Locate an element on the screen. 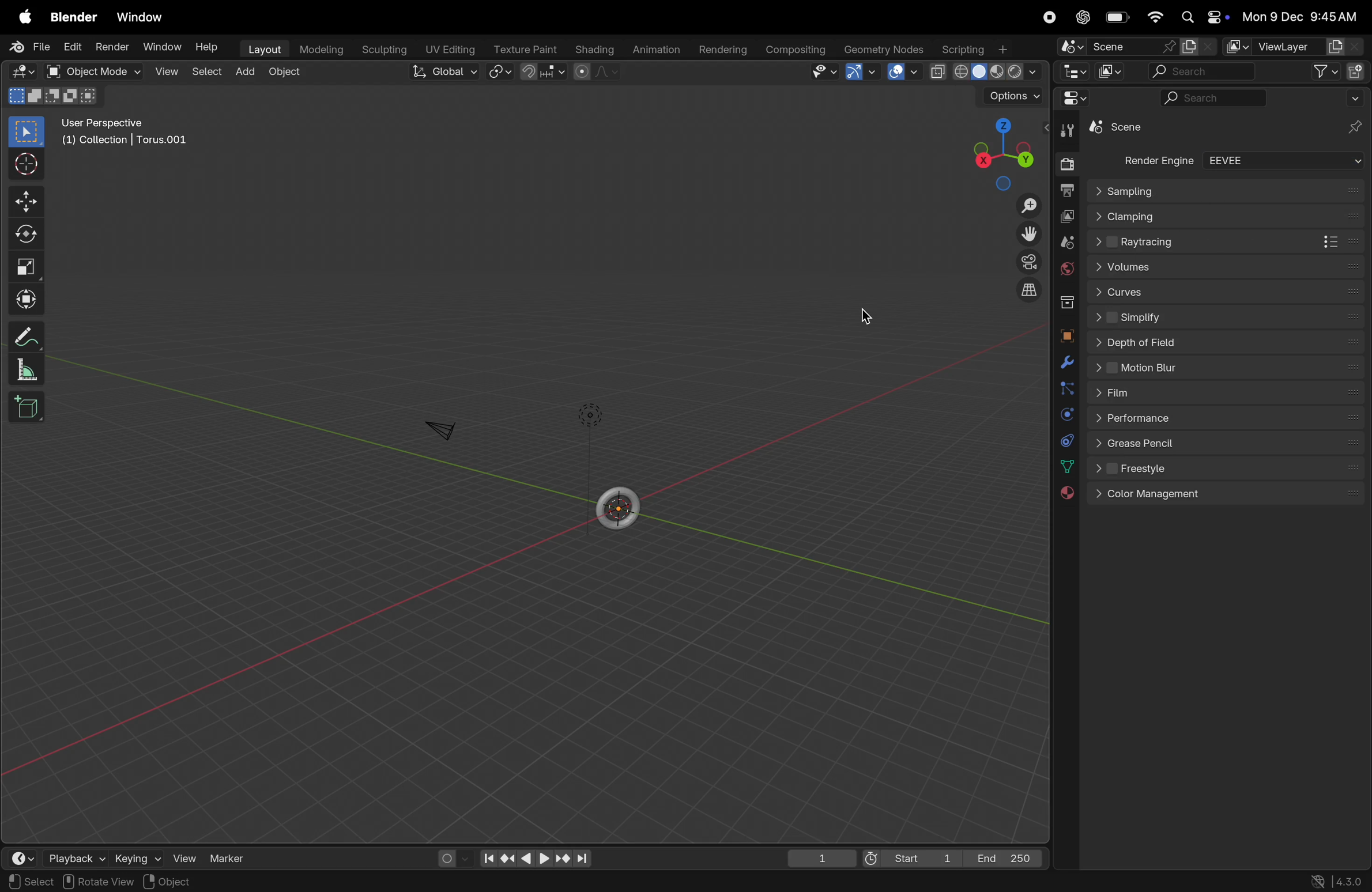  view layer is located at coordinates (1067, 216).